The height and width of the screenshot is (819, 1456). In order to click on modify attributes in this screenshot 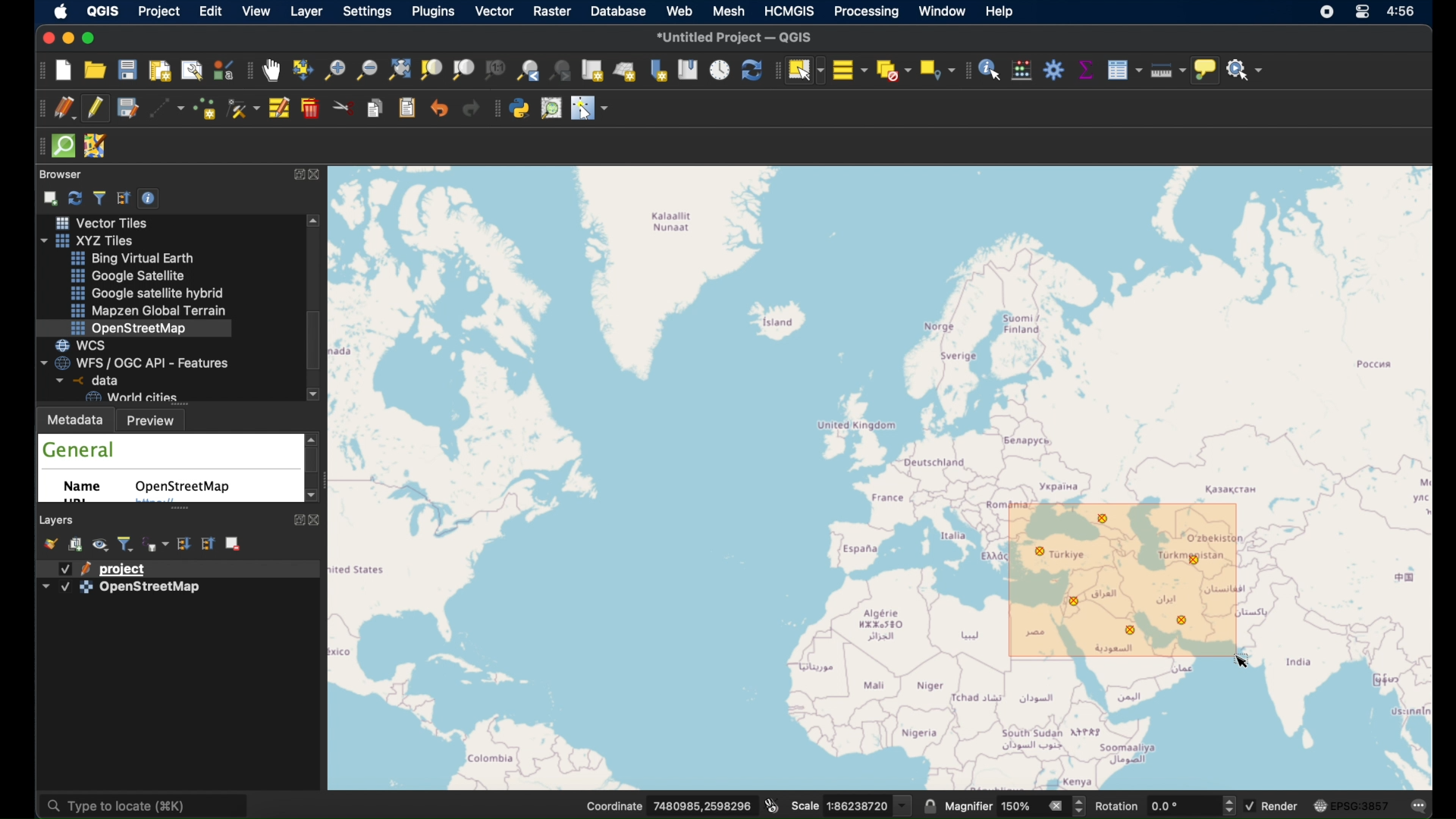, I will do `click(281, 109)`.